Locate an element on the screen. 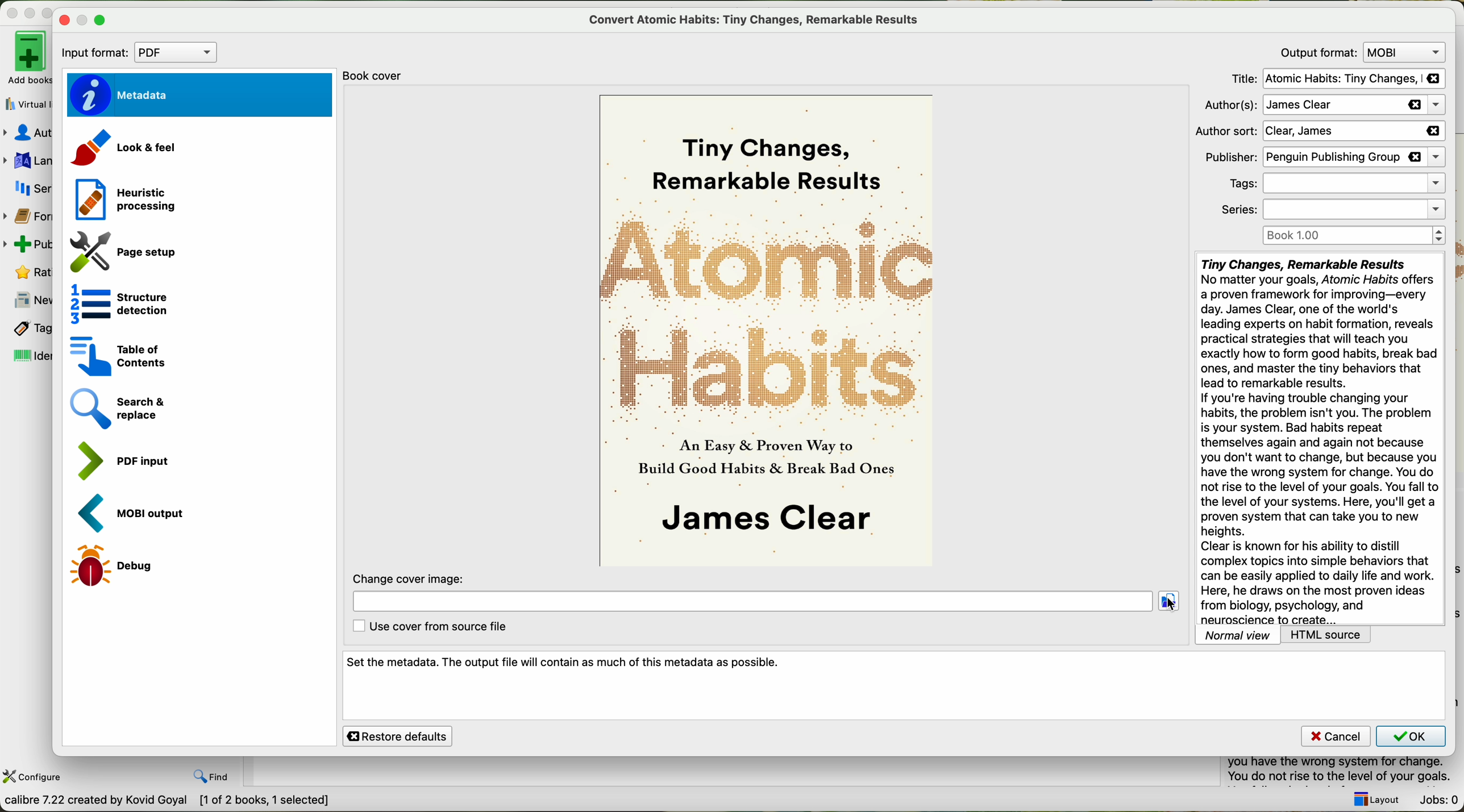 This screenshot has width=1464, height=812. book cover is located at coordinates (372, 73).